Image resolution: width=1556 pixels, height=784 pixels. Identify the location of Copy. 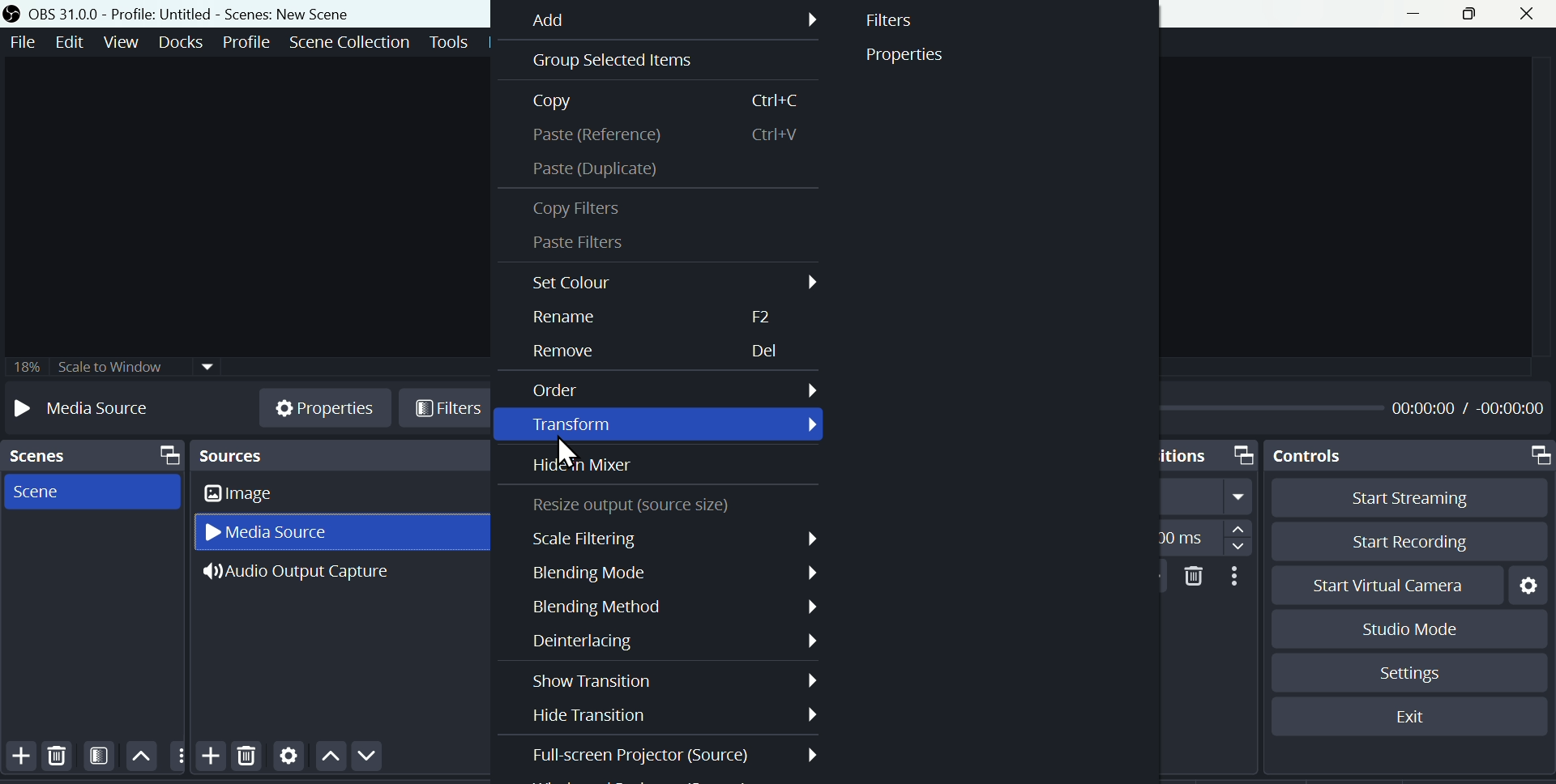
(660, 103).